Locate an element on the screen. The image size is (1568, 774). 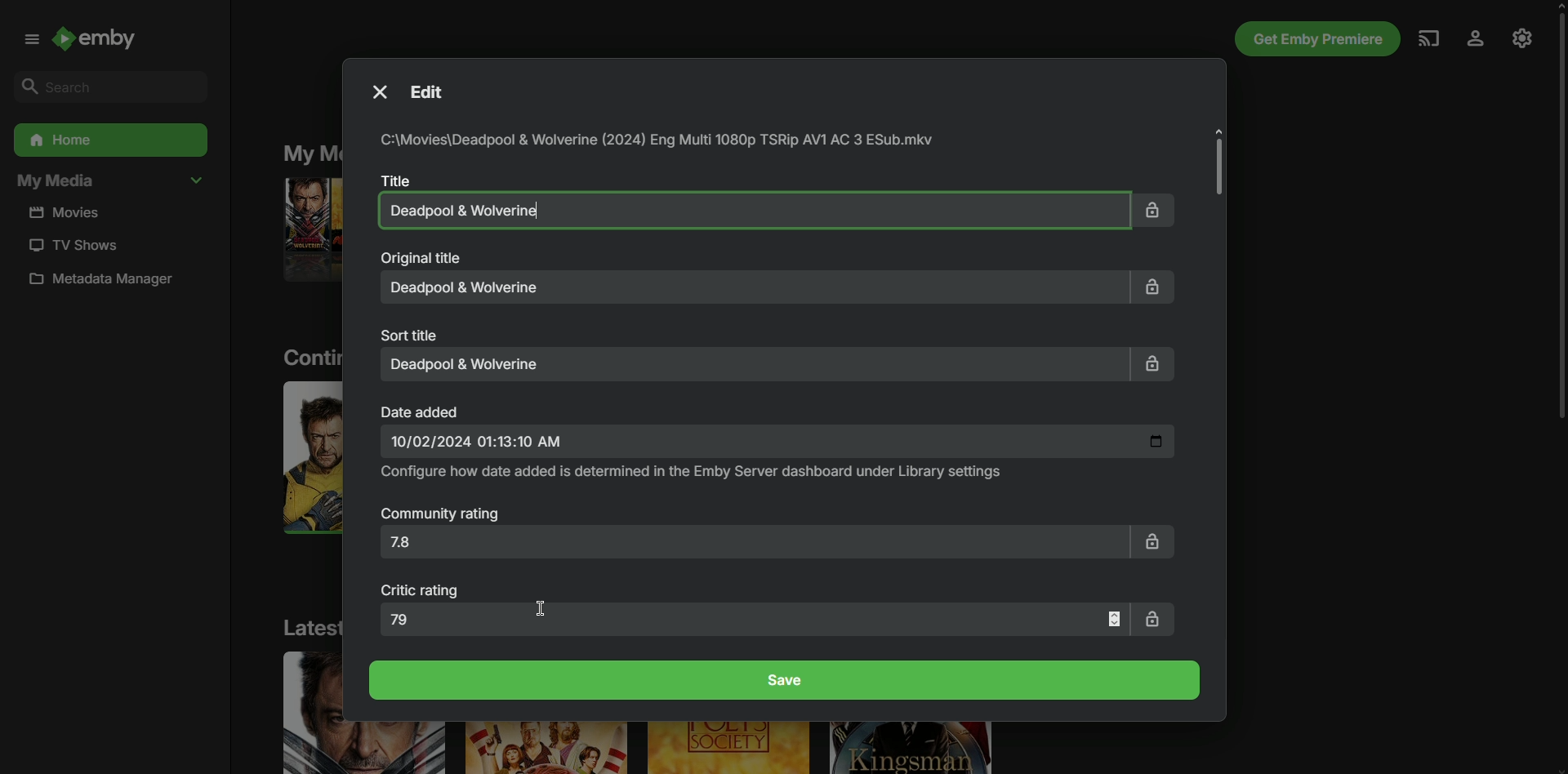
Metadata manager is located at coordinates (108, 282).